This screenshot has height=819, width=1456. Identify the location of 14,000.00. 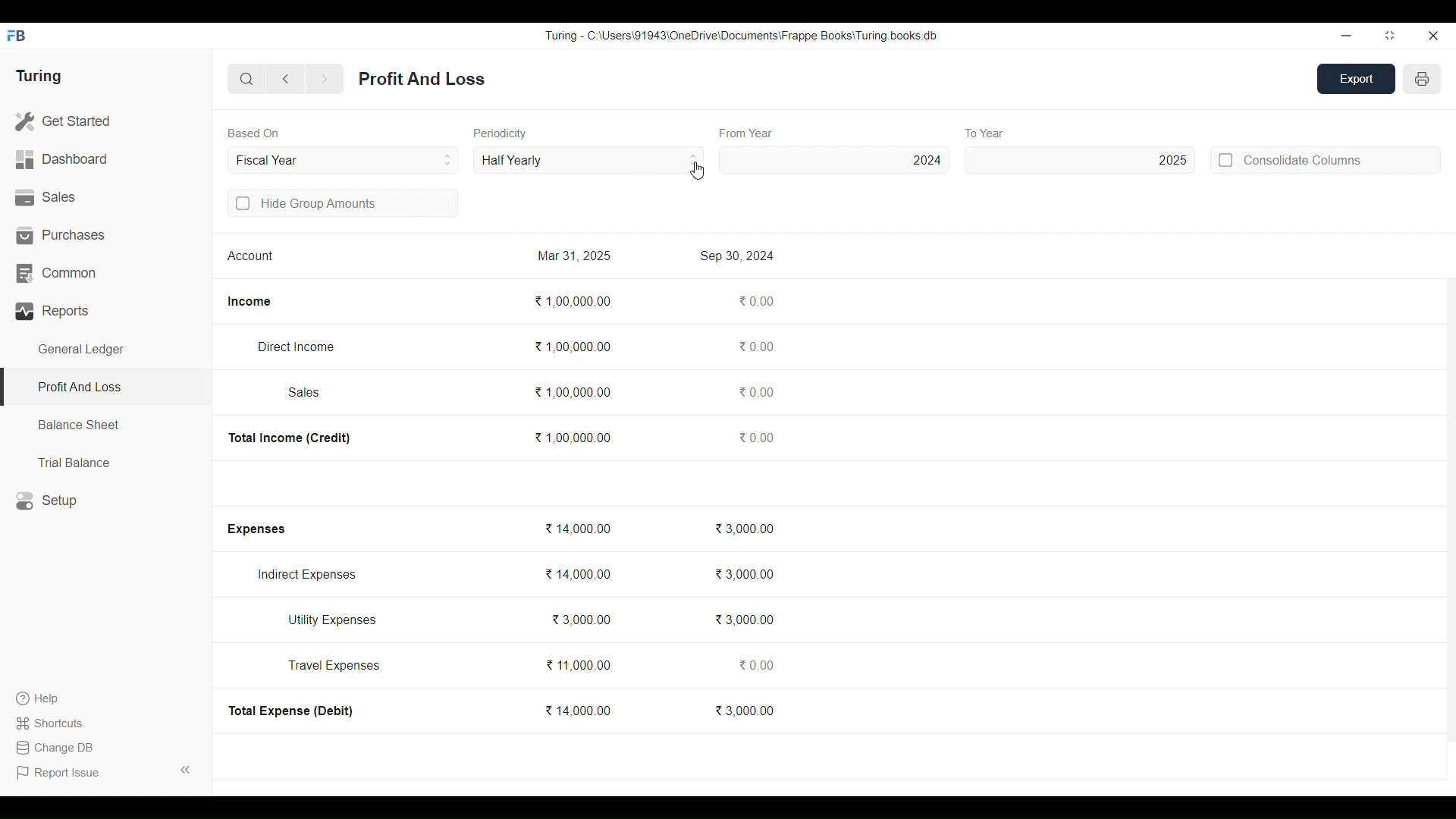
(577, 711).